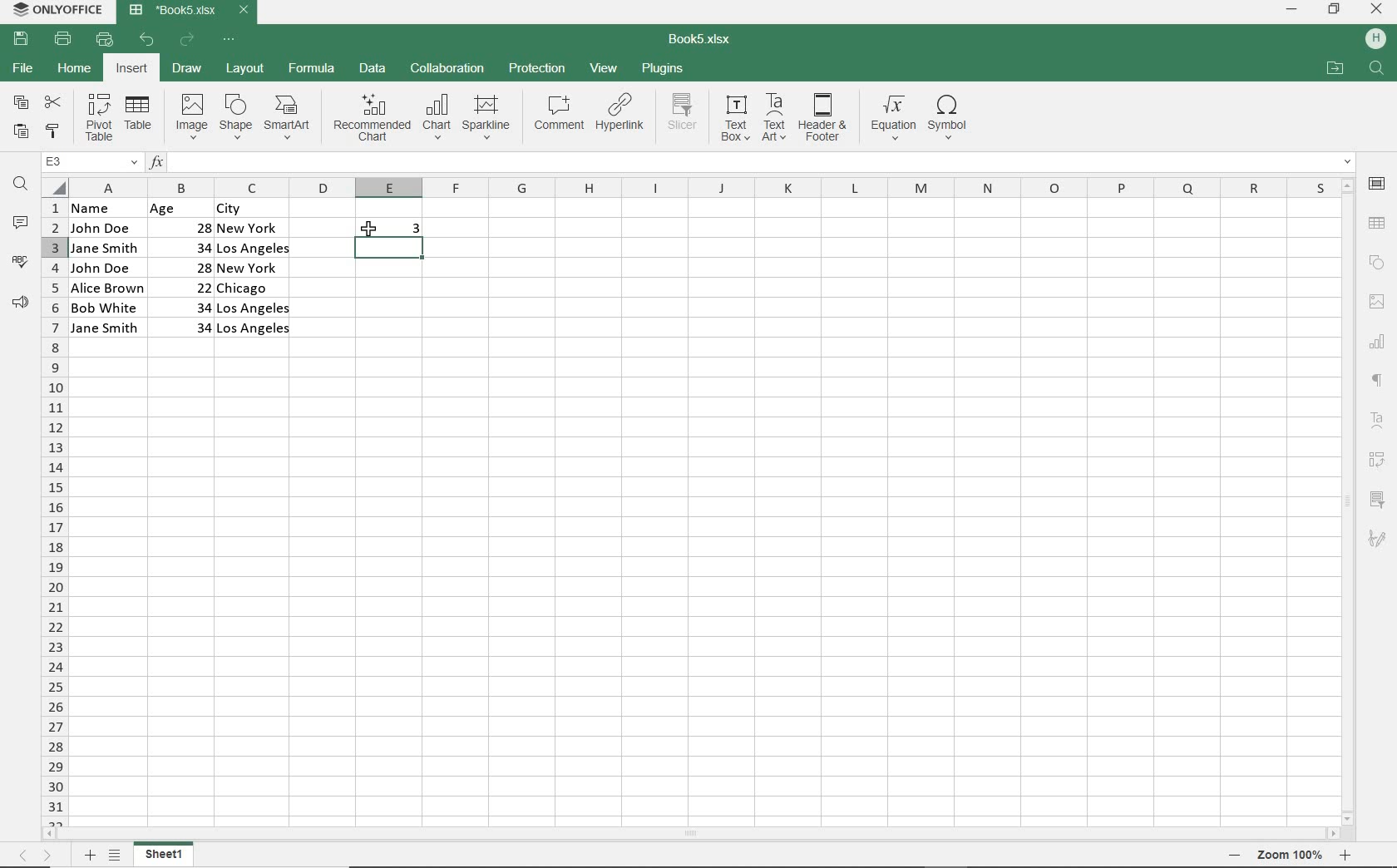 The image size is (1397, 868). Describe the element at coordinates (107, 288) in the screenshot. I see `Alice Brown` at that location.